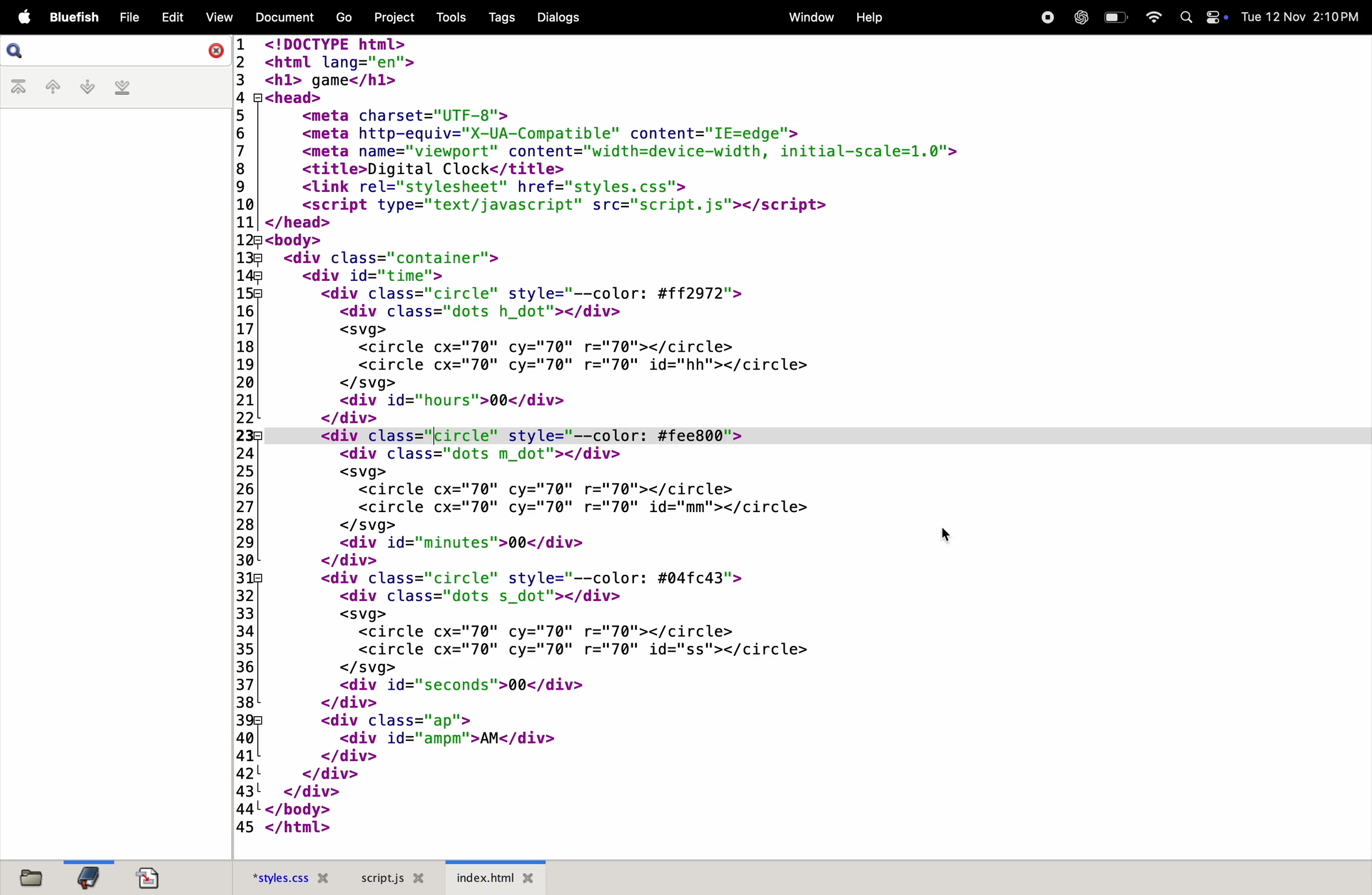 This screenshot has width=1372, height=895. Describe the element at coordinates (292, 877) in the screenshot. I see `style.css` at that location.